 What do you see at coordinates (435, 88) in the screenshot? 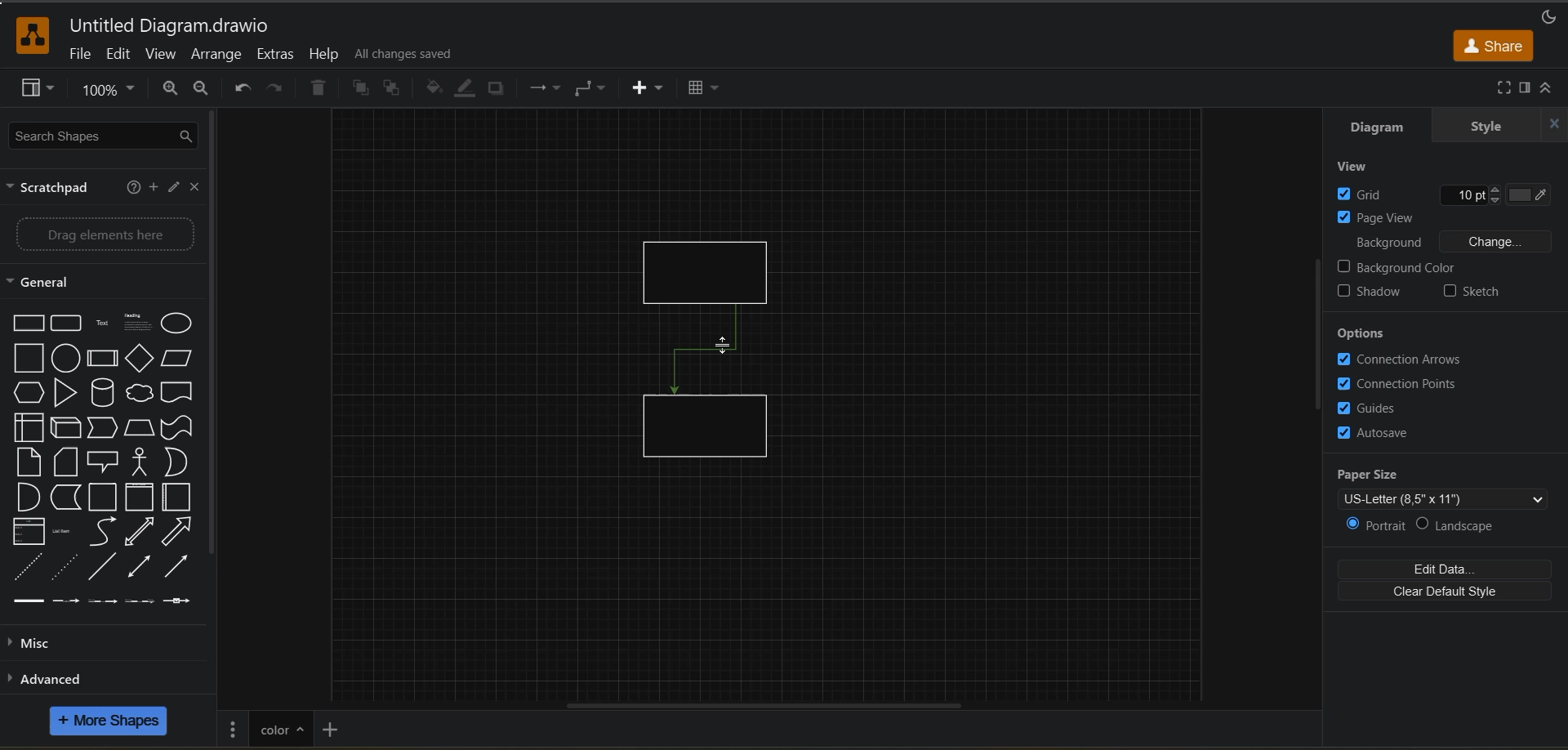
I see `fill color` at bounding box center [435, 88].